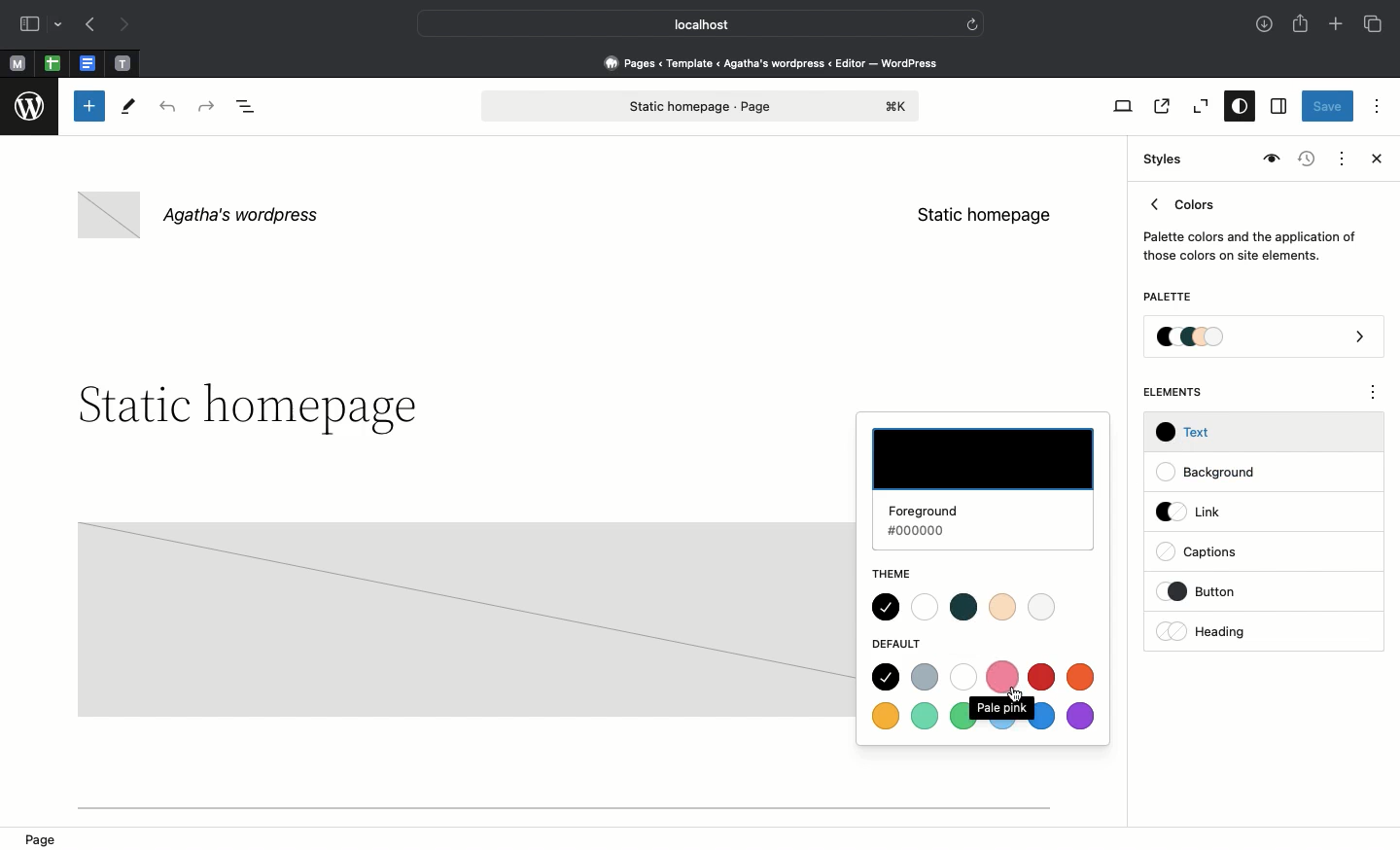 This screenshot has height=850, width=1400. What do you see at coordinates (209, 107) in the screenshot?
I see `Redo` at bounding box center [209, 107].